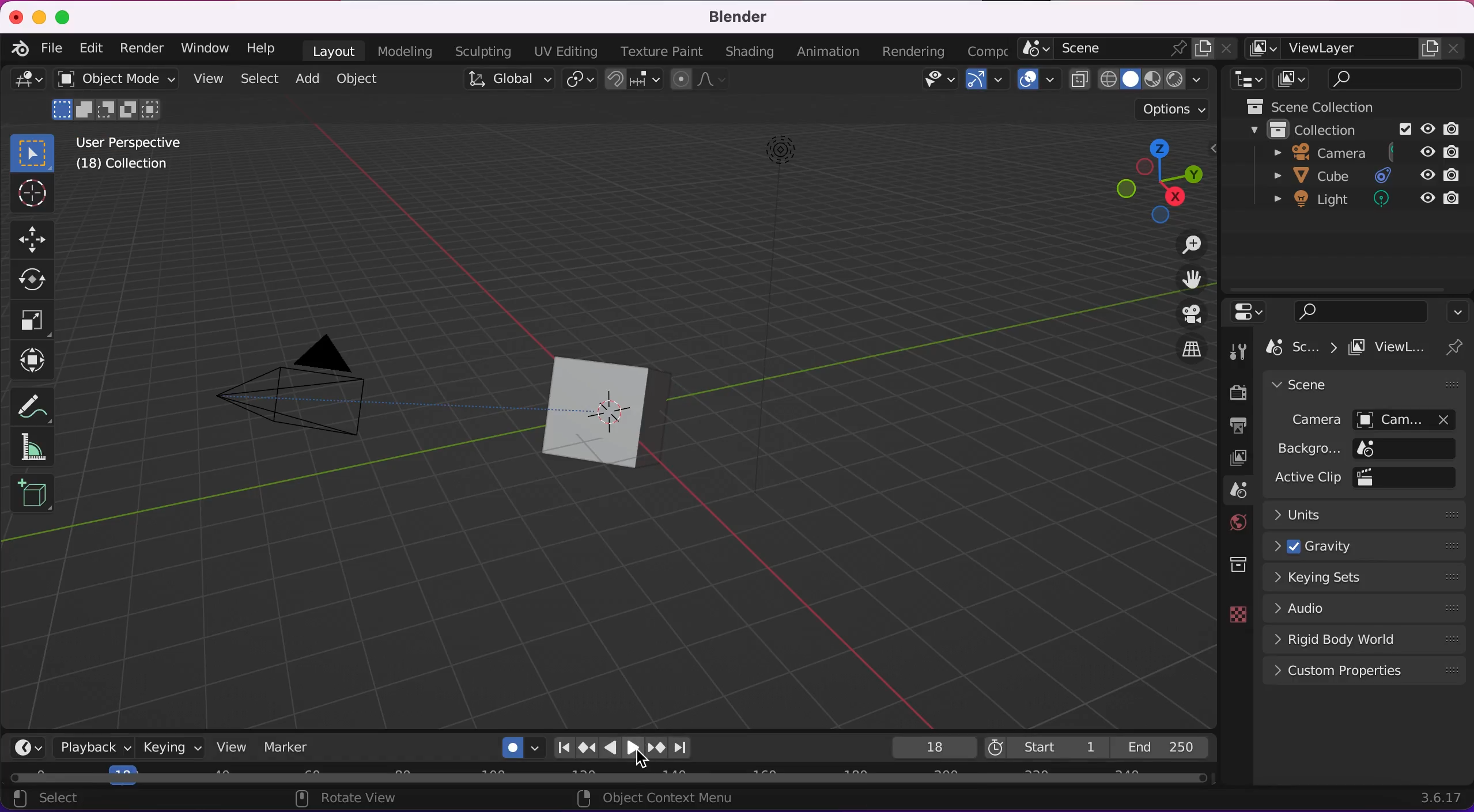 This screenshot has height=812, width=1474. Describe the element at coordinates (165, 748) in the screenshot. I see `keying` at that location.